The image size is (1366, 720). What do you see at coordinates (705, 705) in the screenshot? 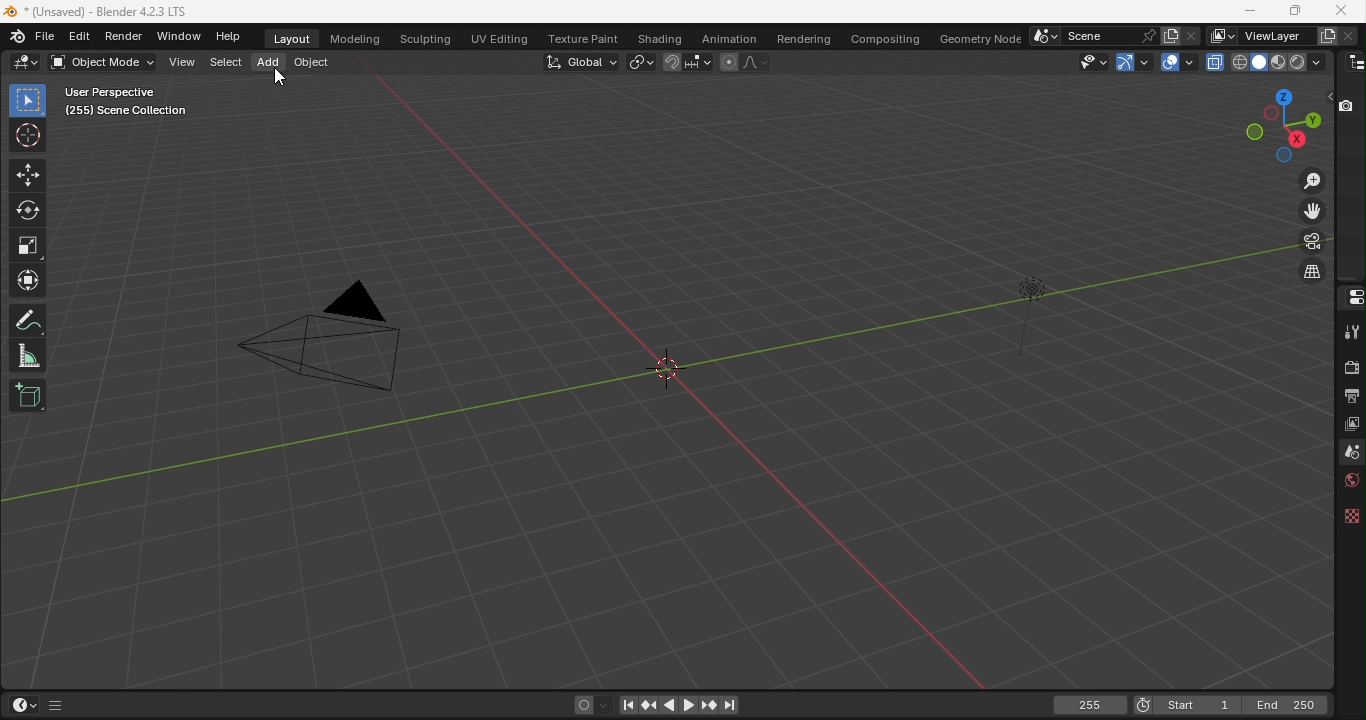
I see `Jump to next/previous keyframe` at bounding box center [705, 705].